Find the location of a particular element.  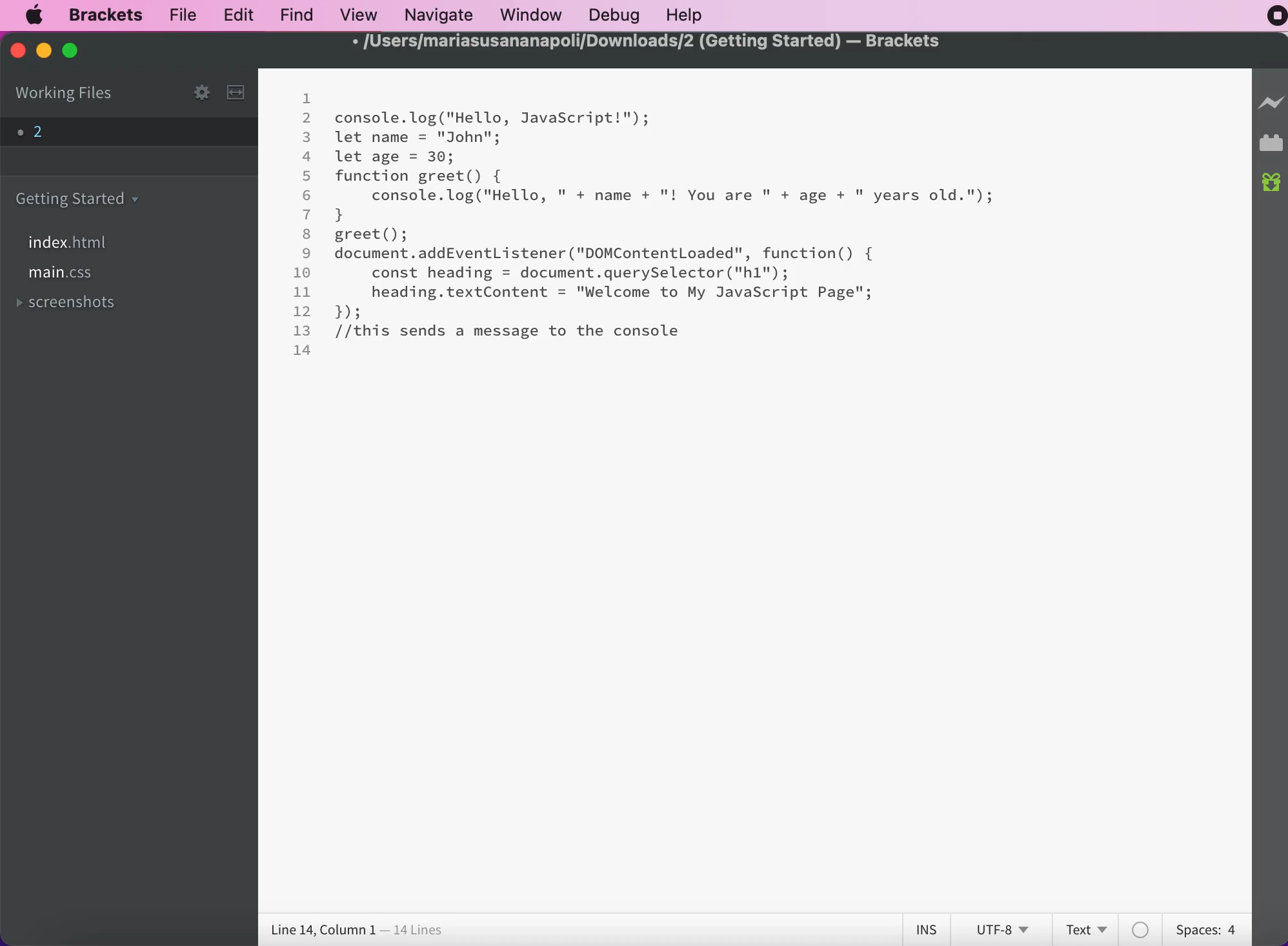

ins is located at coordinates (923, 927).